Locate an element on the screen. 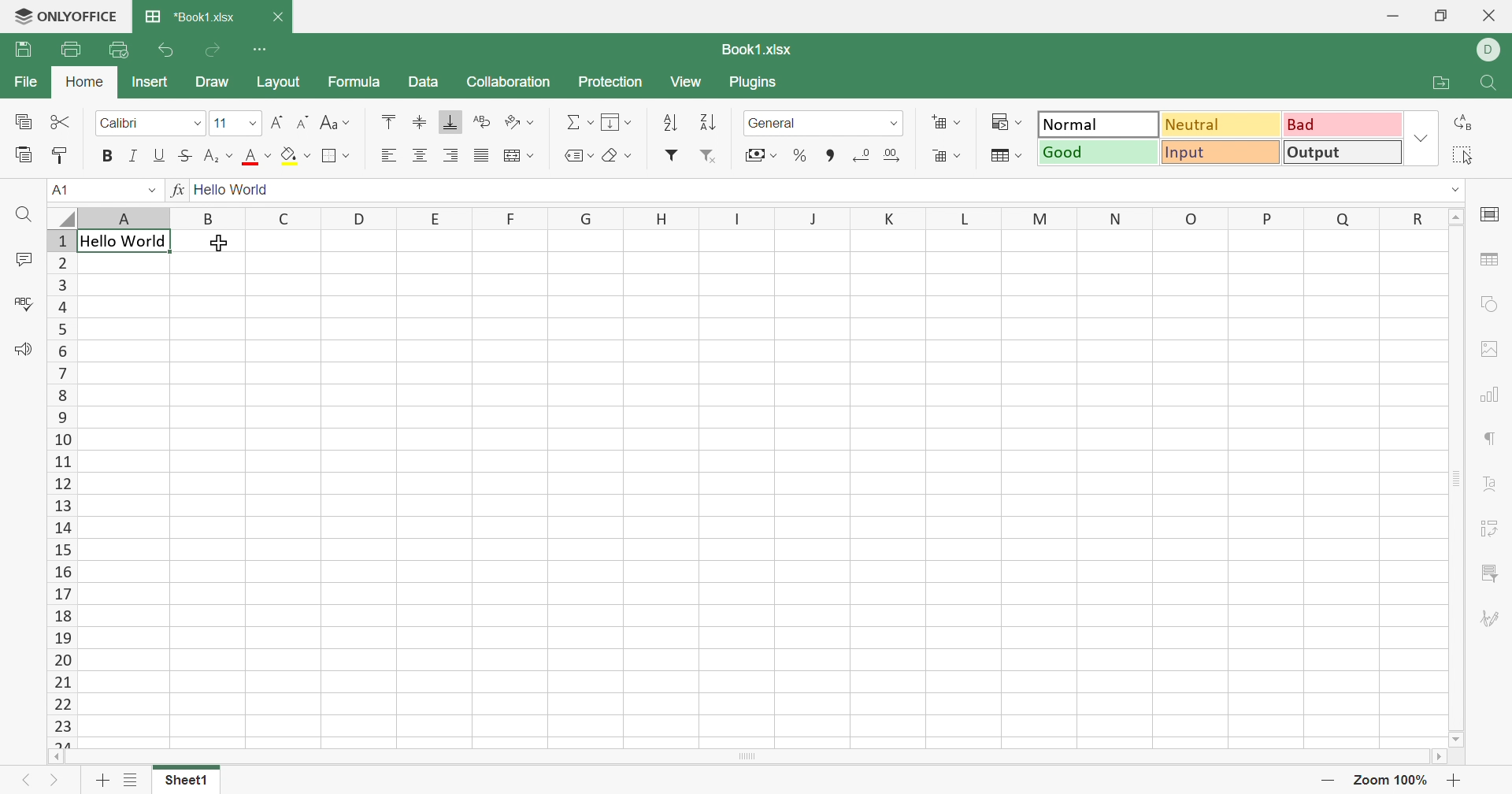 The height and width of the screenshot is (794, 1512). Decrease decimal is located at coordinates (860, 158).